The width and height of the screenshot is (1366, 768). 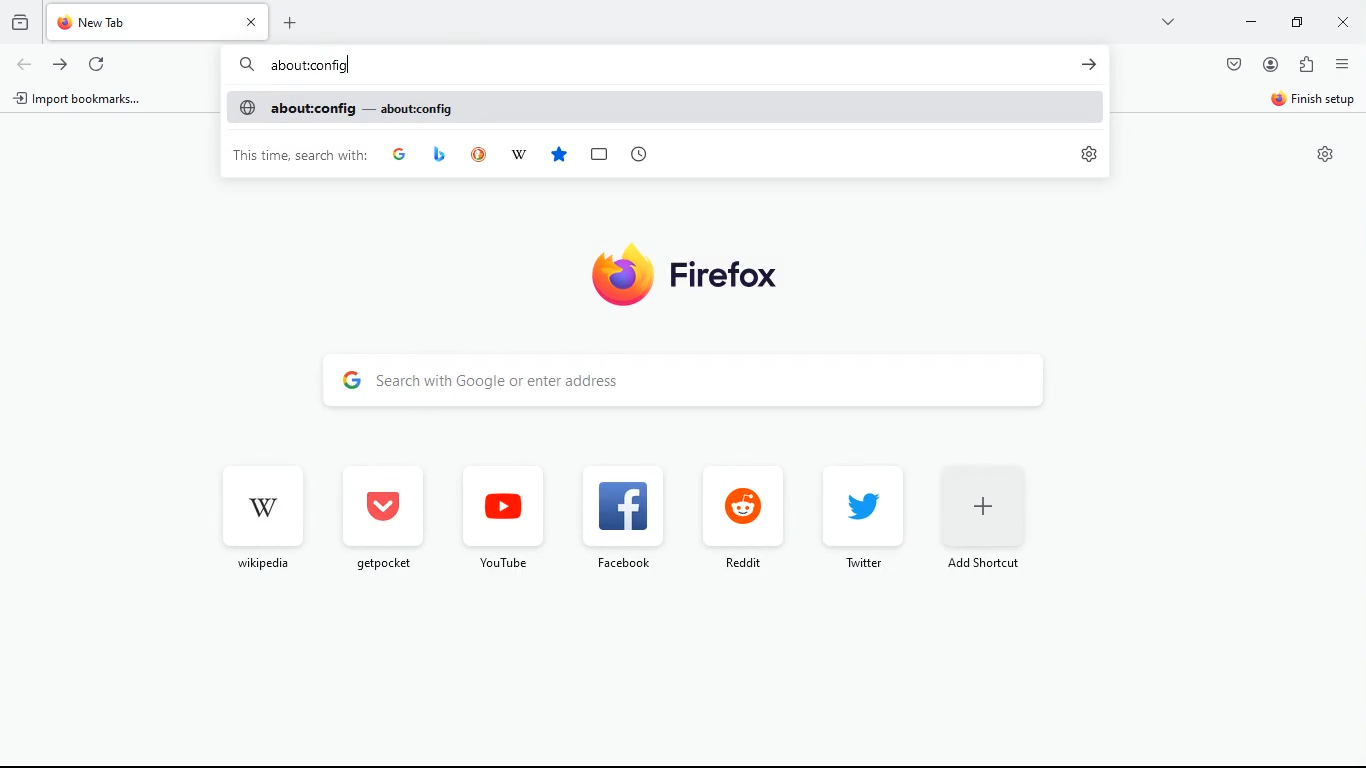 I want to click on profile, so click(x=1272, y=65).